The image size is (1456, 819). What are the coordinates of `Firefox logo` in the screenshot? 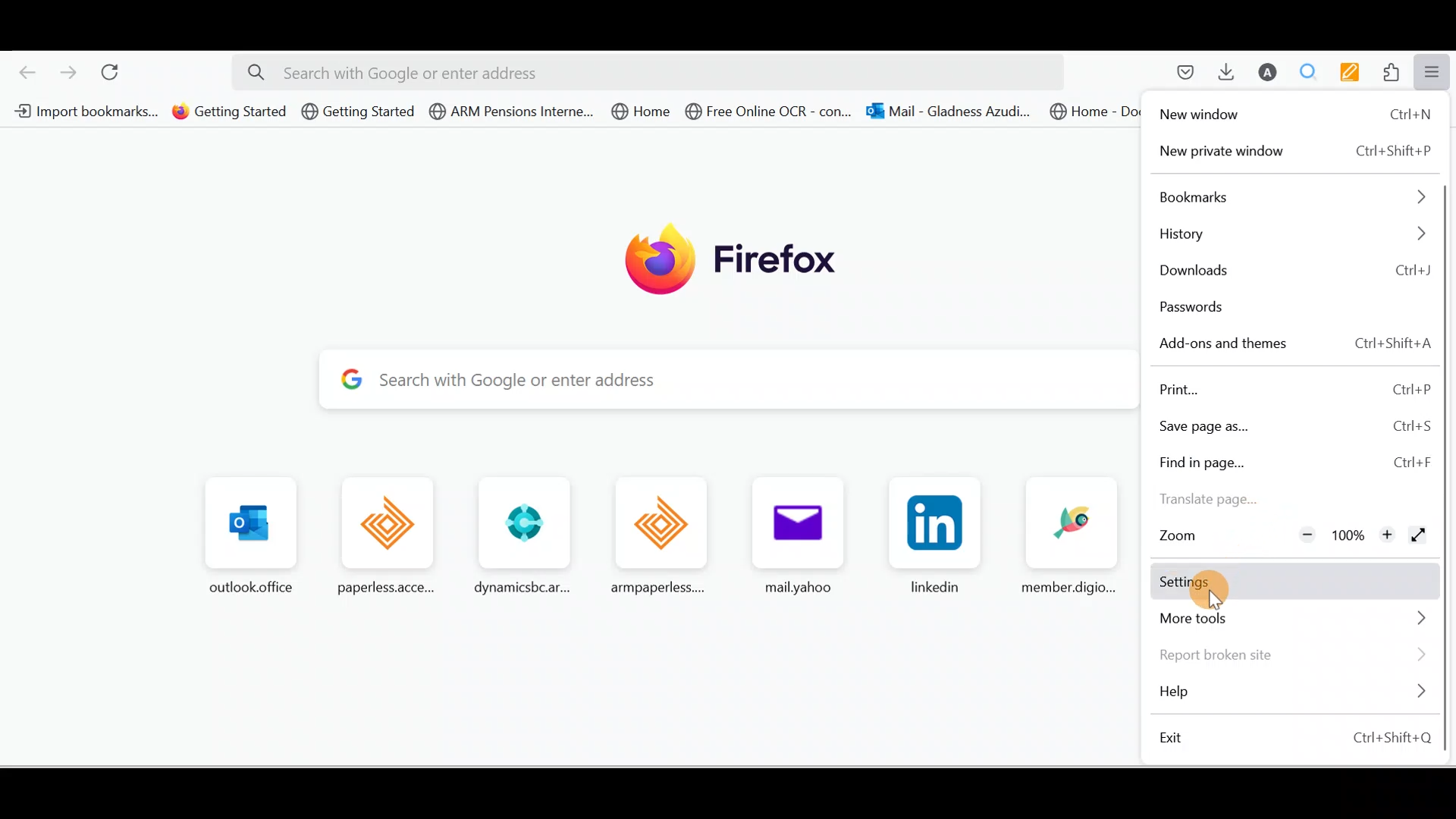 It's located at (745, 259).